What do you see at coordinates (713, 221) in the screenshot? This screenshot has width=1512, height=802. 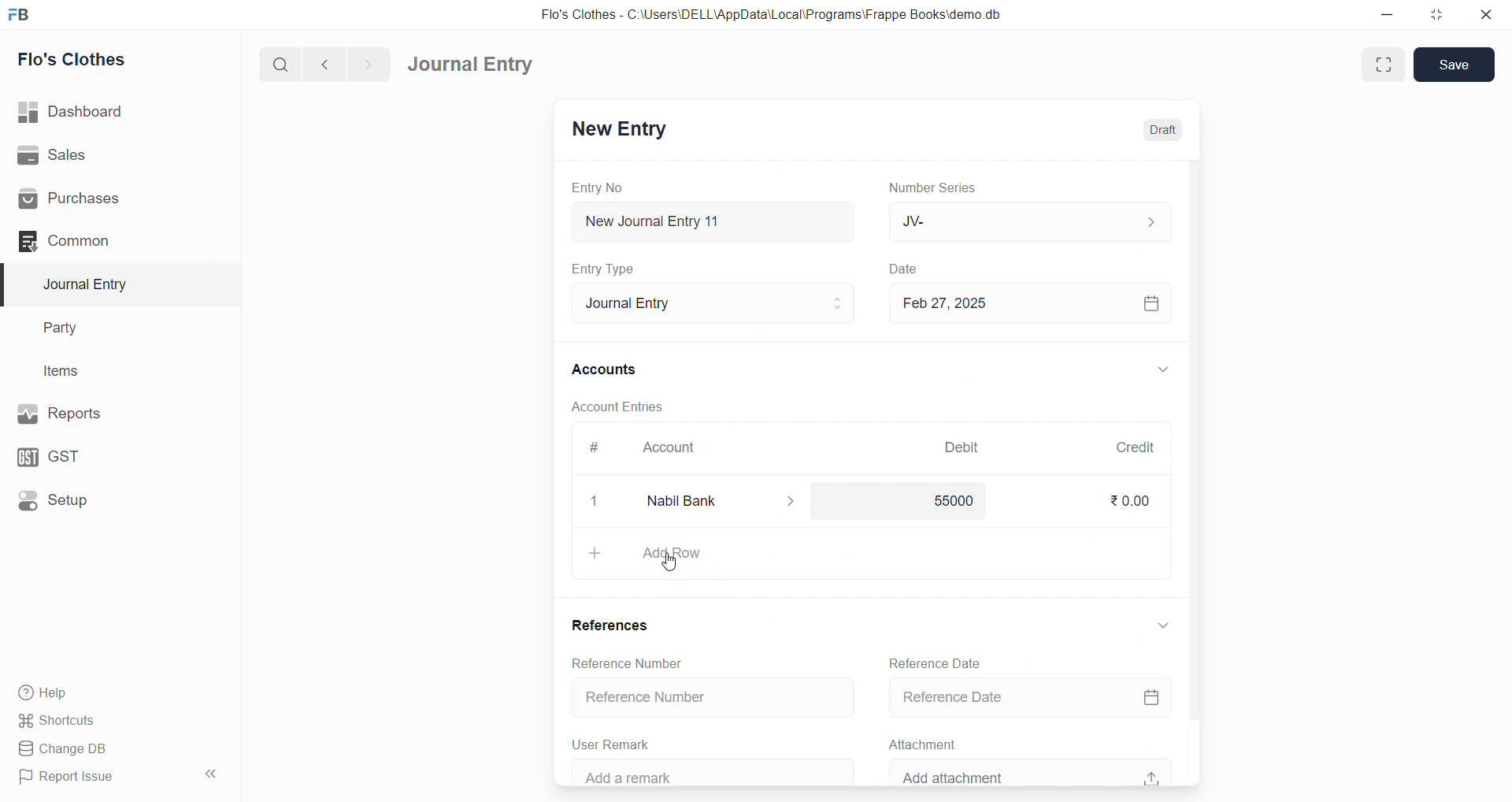 I see `New Journal Entry 11` at bounding box center [713, 221].